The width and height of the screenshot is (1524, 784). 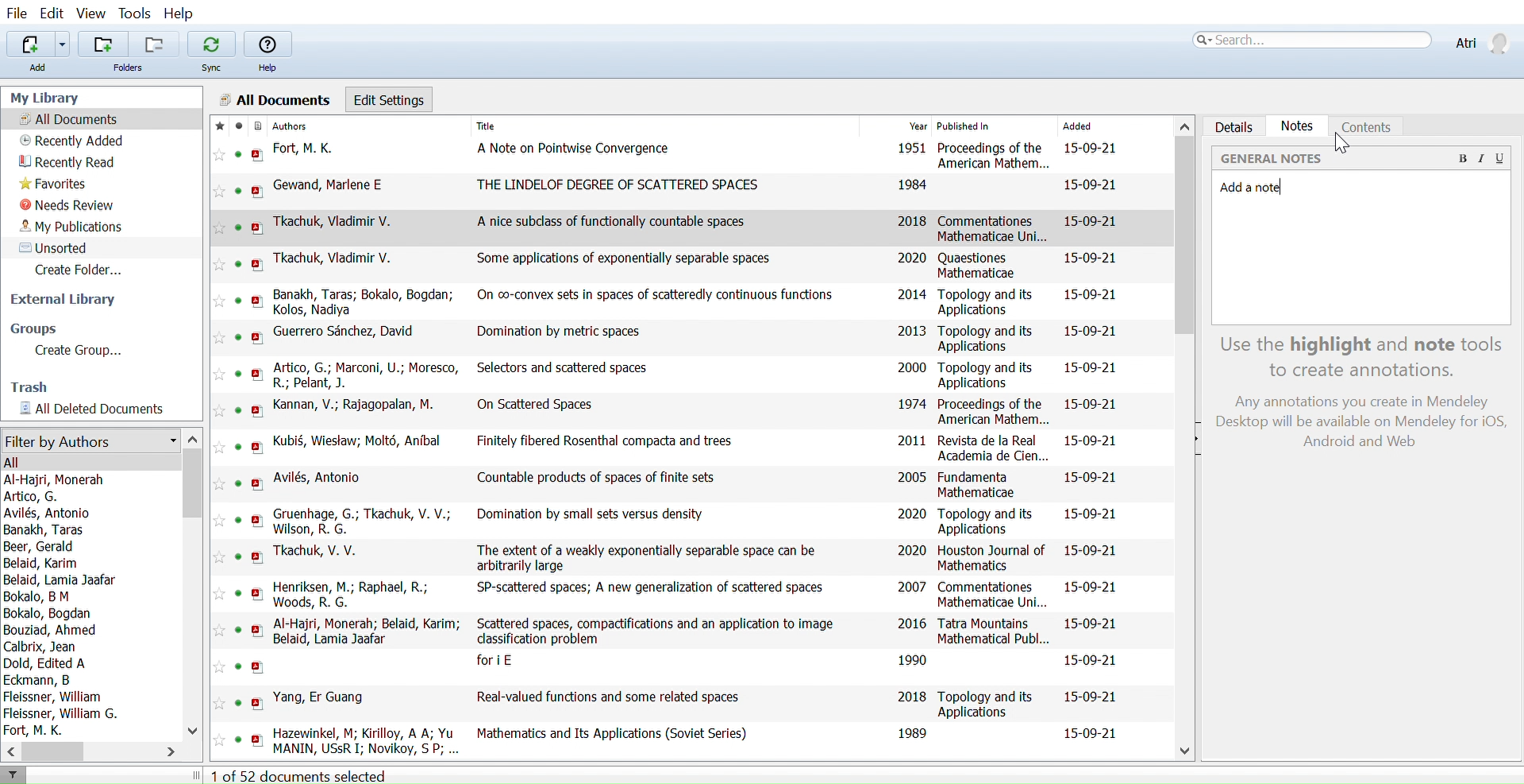 What do you see at coordinates (364, 521) in the screenshot?
I see `Gruenhage, G.; Tkachuk, V. V.; Wilson, R. G.` at bounding box center [364, 521].